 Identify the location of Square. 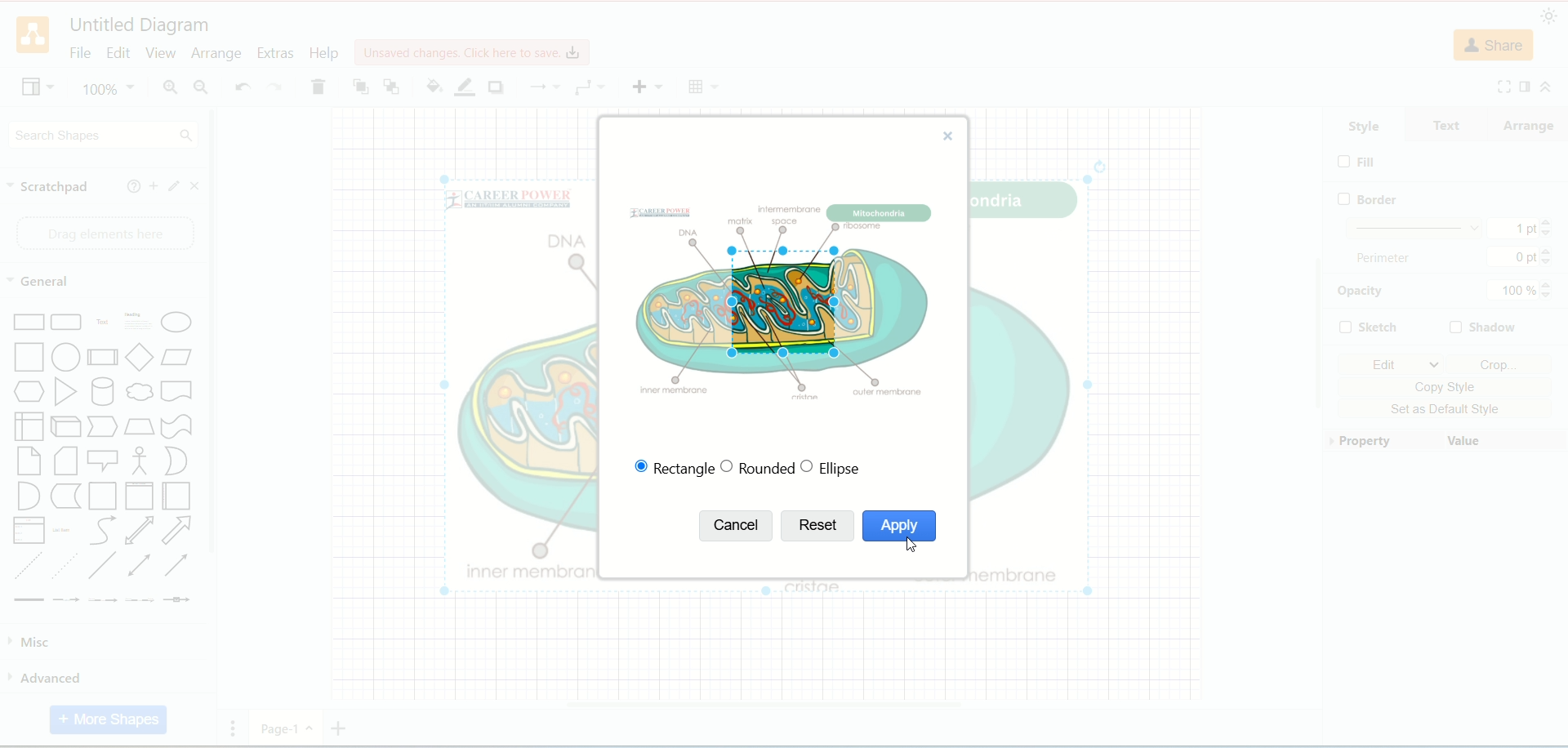
(29, 358).